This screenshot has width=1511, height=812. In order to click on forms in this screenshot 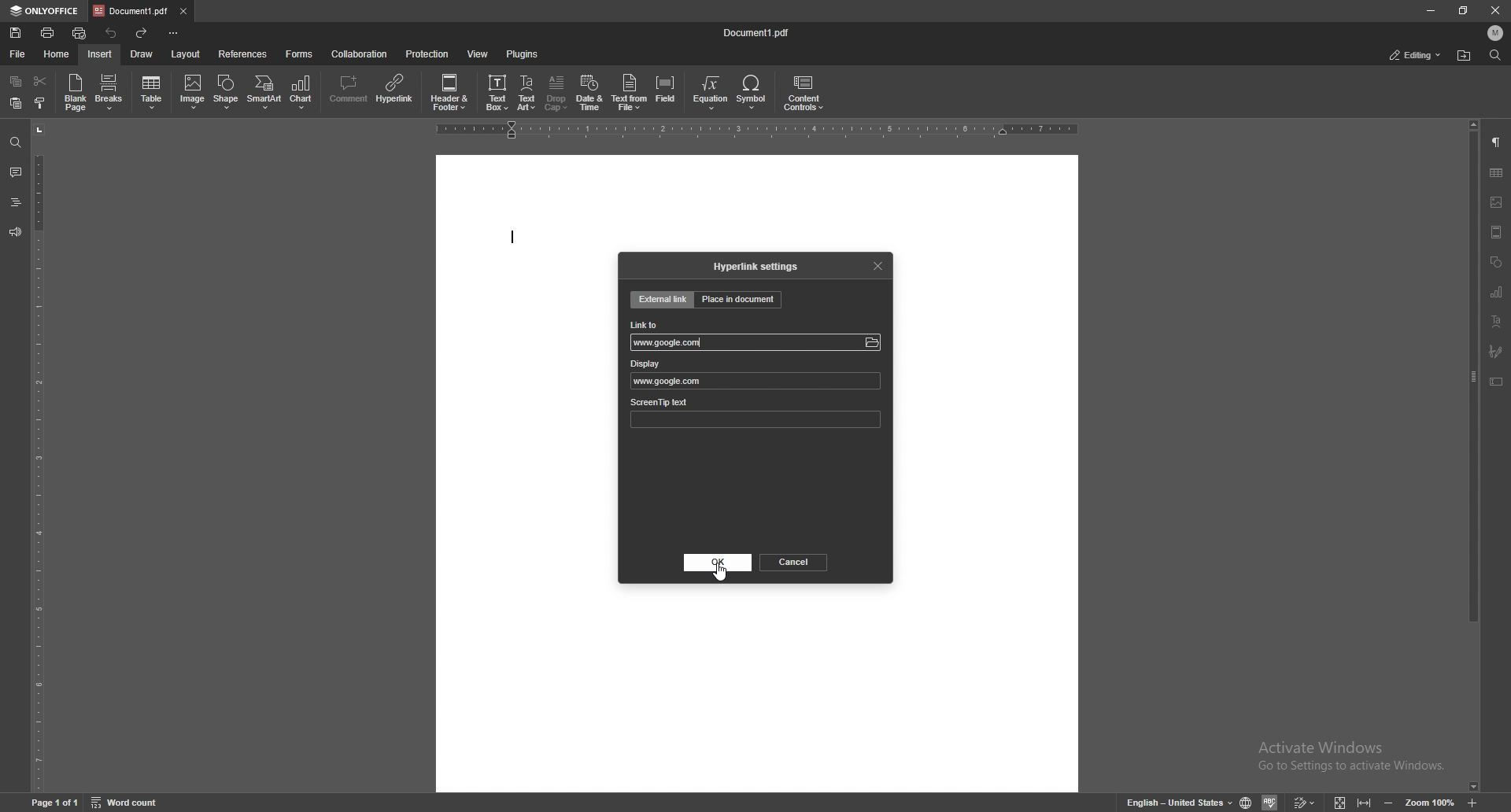, I will do `click(298, 54)`.